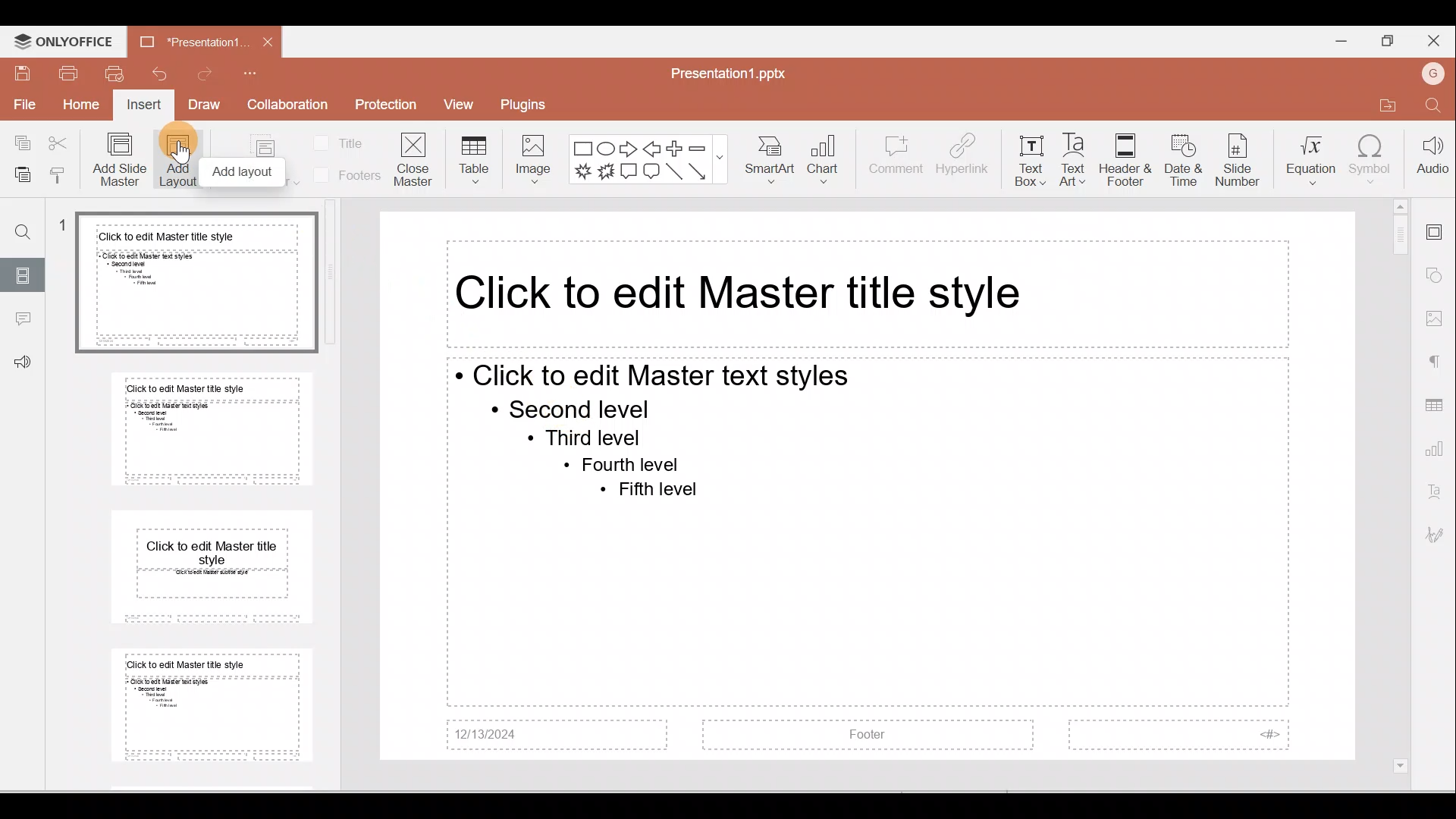 The image size is (1456, 819). I want to click on Audio, so click(1432, 159).